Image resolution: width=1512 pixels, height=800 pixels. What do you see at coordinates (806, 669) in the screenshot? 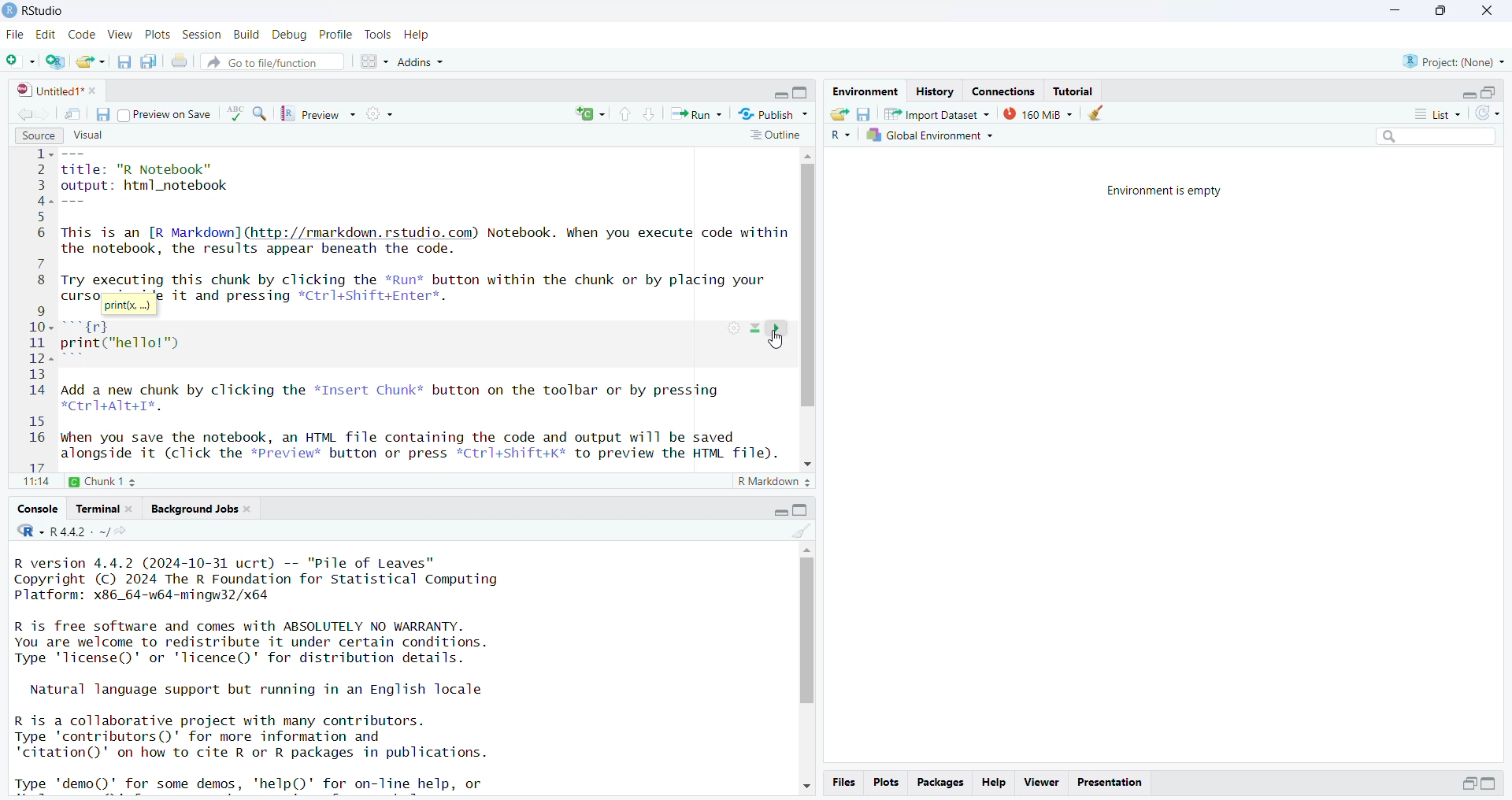
I see `scrollbar` at bounding box center [806, 669].